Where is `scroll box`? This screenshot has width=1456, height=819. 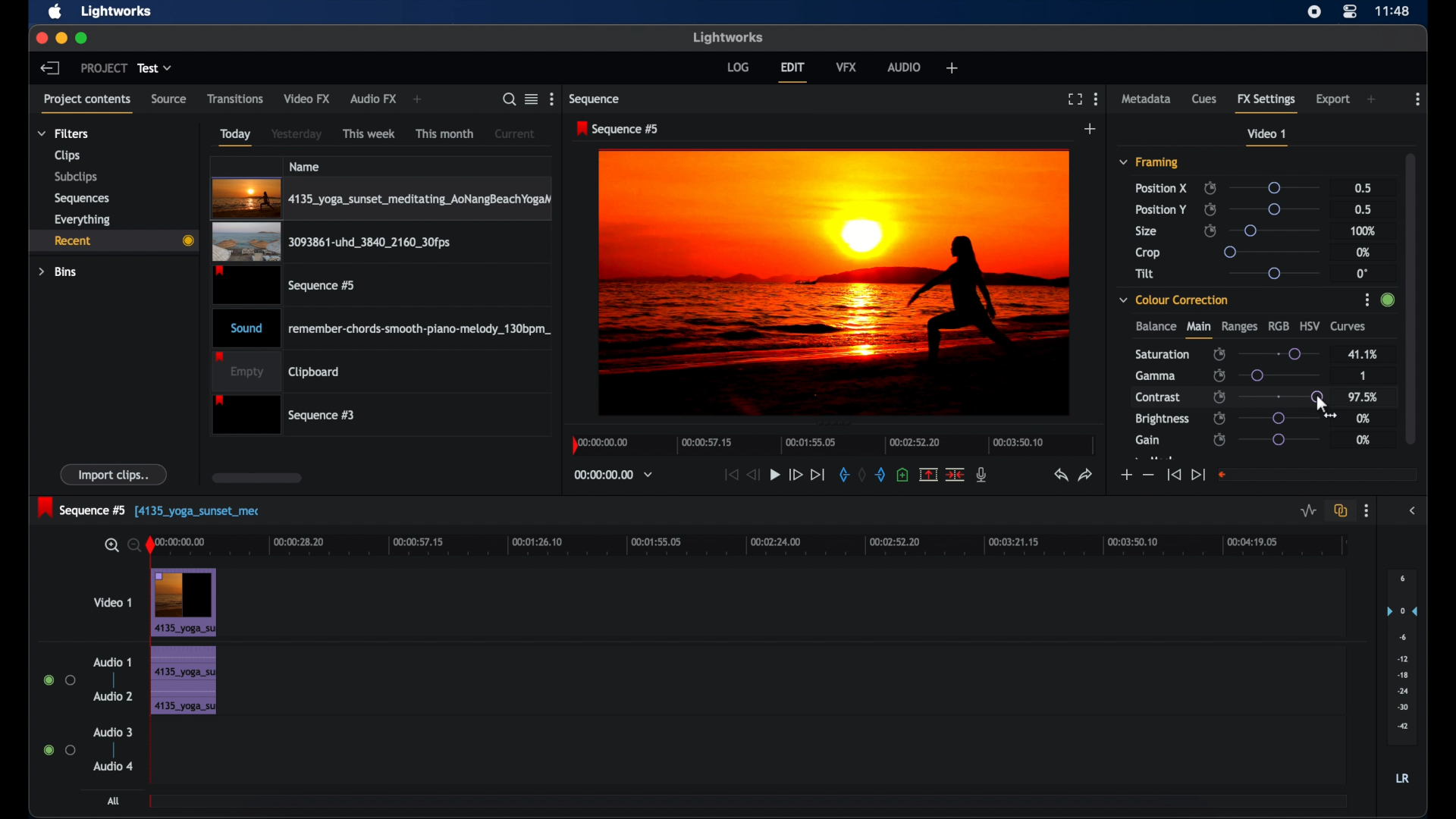
scroll box is located at coordinates (1411, 297).